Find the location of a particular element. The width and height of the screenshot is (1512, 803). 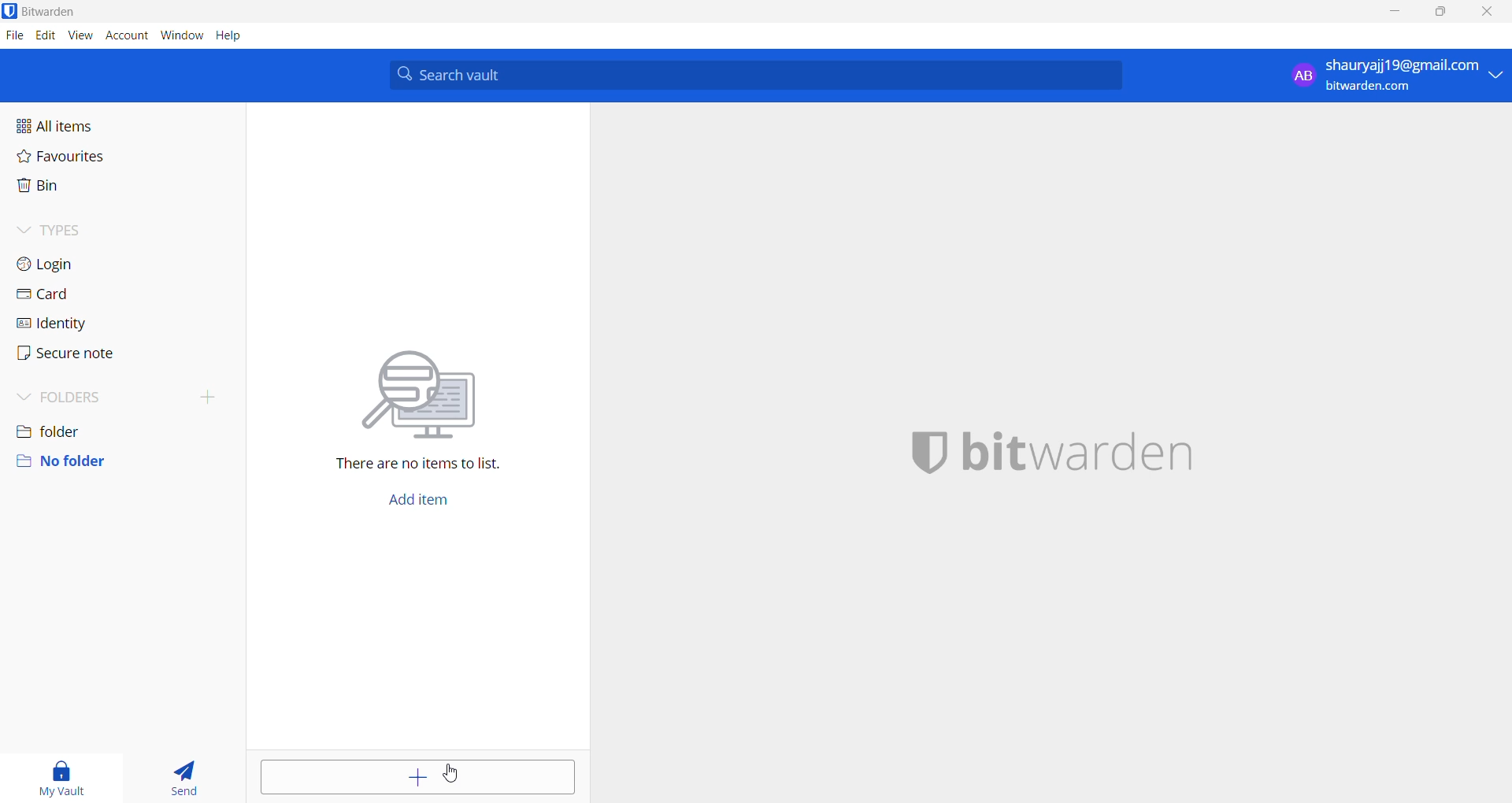

edit is located at coordinates (43, 35).